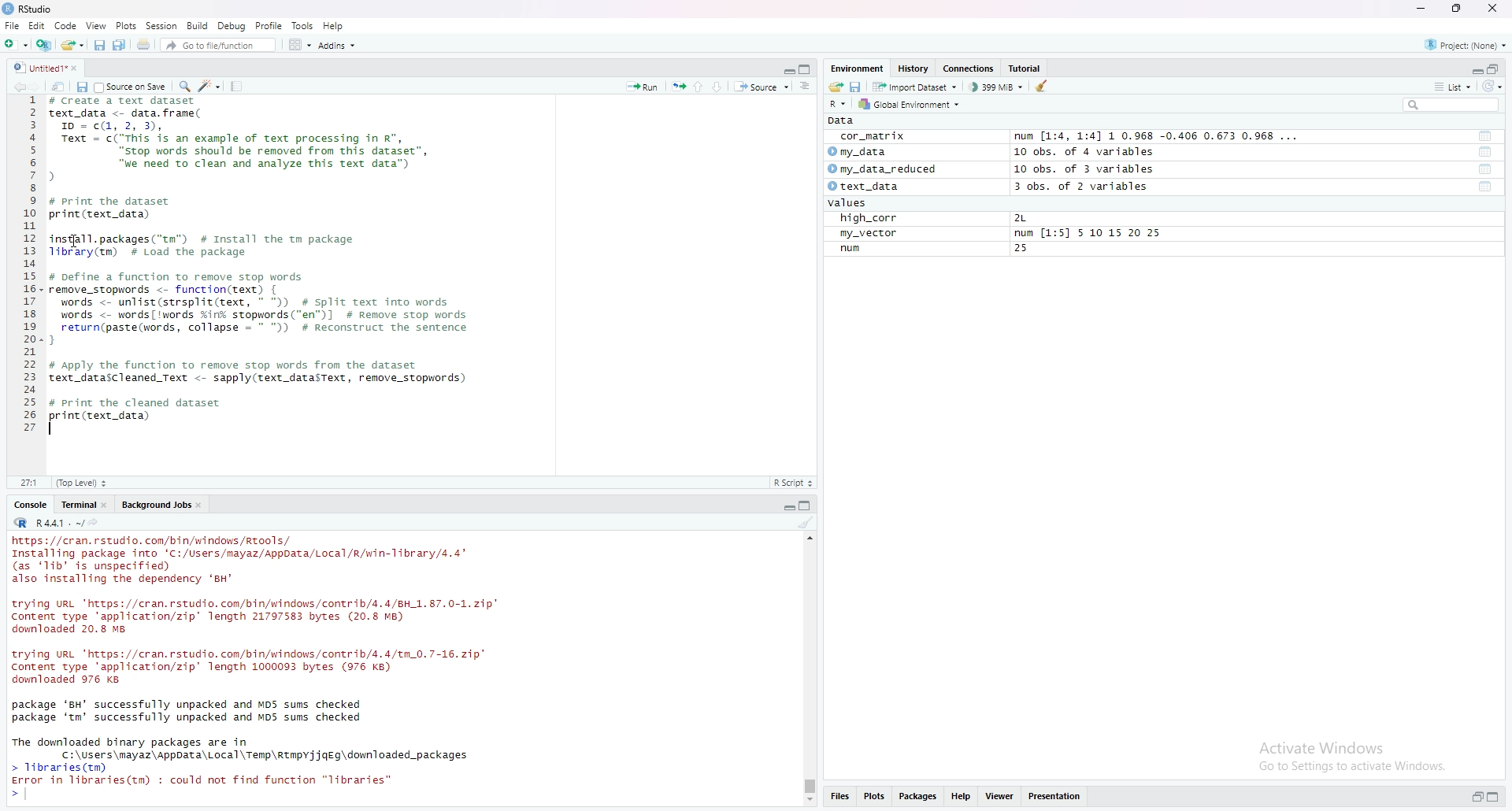  Describe the element at coordinates (1484, 137) in the screenshot. I see `functions` at that location.